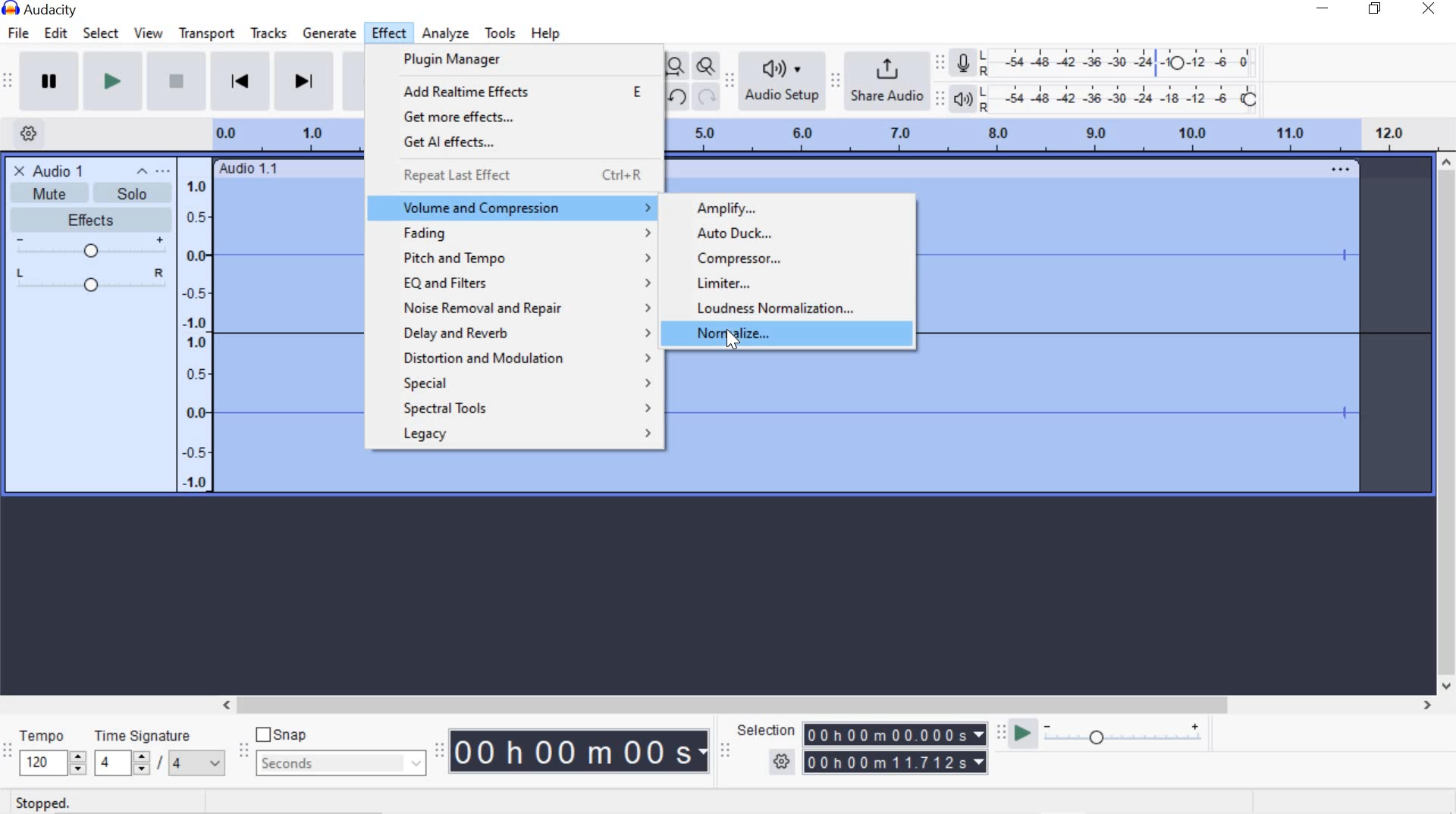 The width and height of the screenshot is (1456, 814). I want to click on TEMPO, so click(50, 752).